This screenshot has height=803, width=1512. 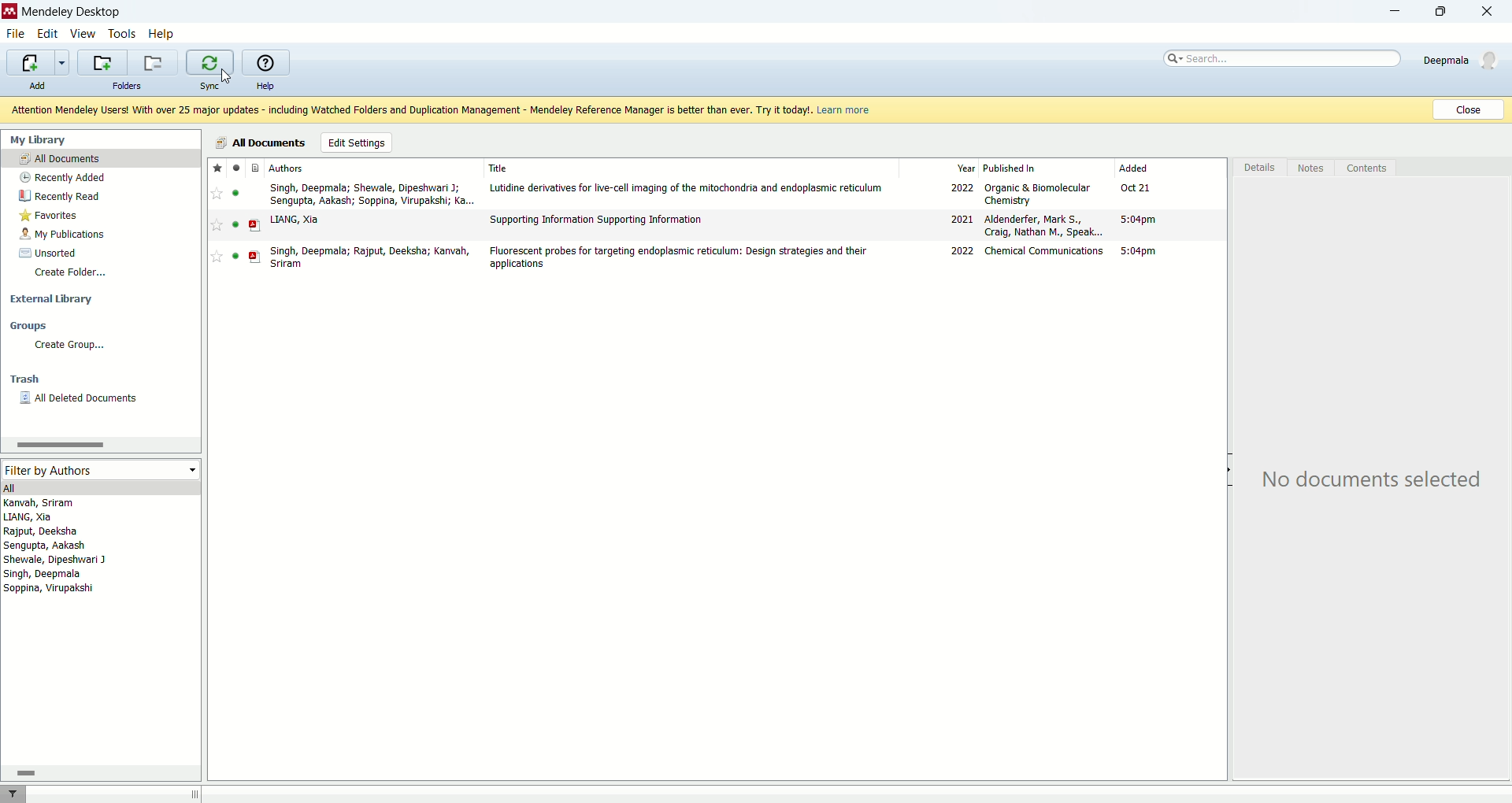 What do you see at coordinates (161, 34) in the screenshot?
I see `help` at bounding box center [161, 34].